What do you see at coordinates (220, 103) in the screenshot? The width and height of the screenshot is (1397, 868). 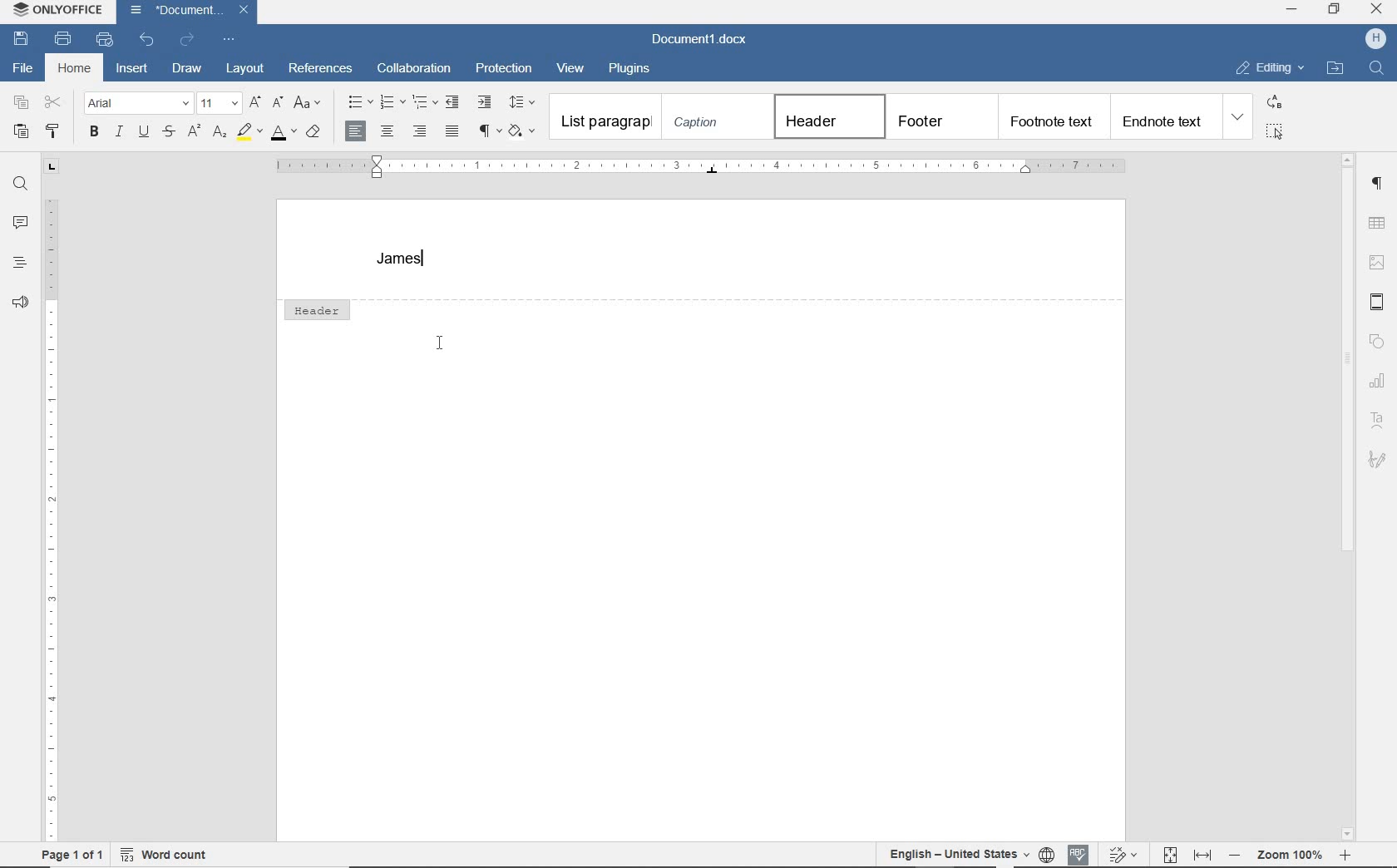 I see `font size` at bounding box center [220, 103].